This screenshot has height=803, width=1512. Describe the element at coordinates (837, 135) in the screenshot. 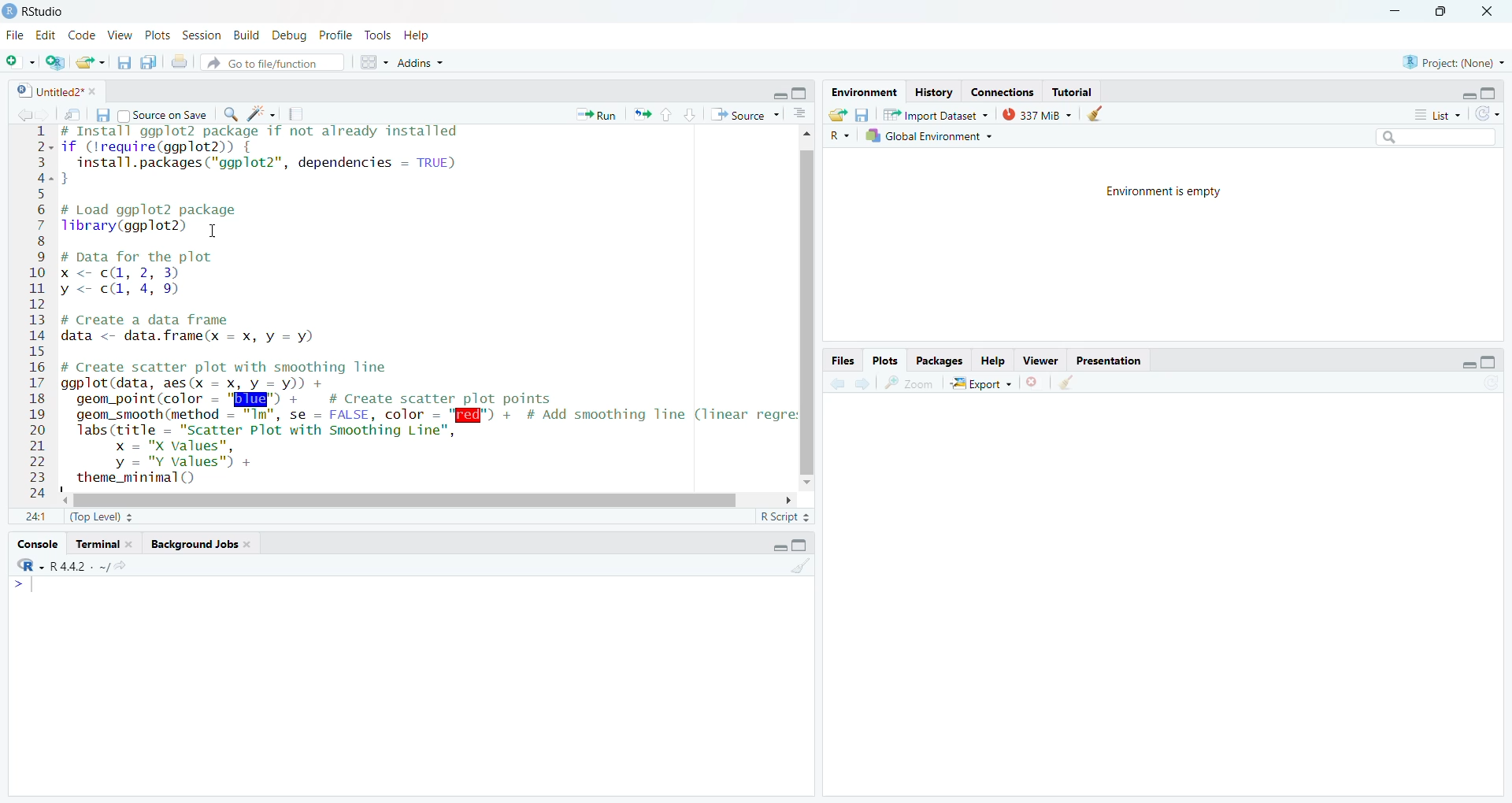

I see `R` at that location.